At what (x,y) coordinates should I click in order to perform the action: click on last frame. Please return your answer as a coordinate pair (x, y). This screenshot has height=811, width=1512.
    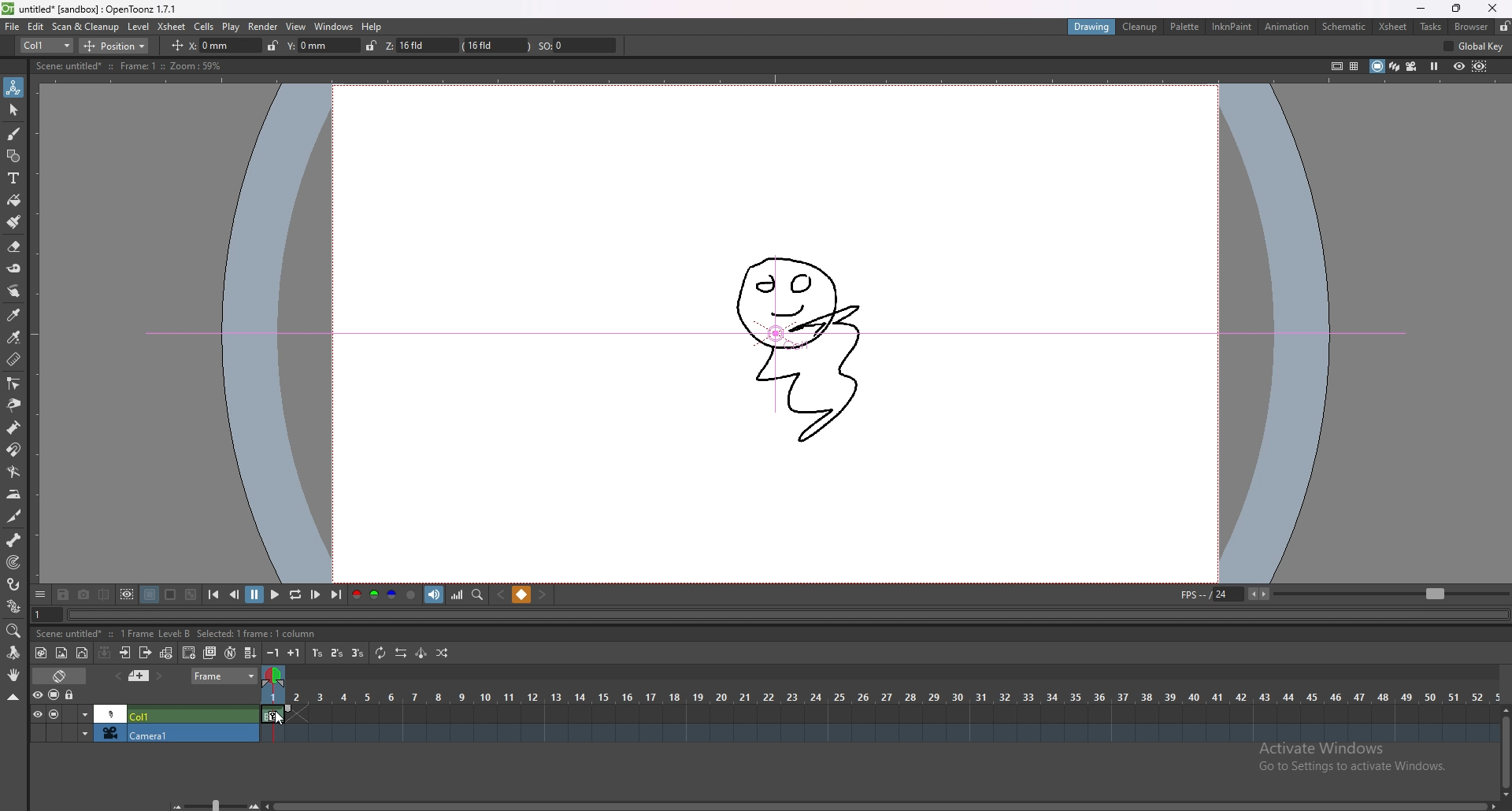
    Looking at the image, I should click on (335, 594).